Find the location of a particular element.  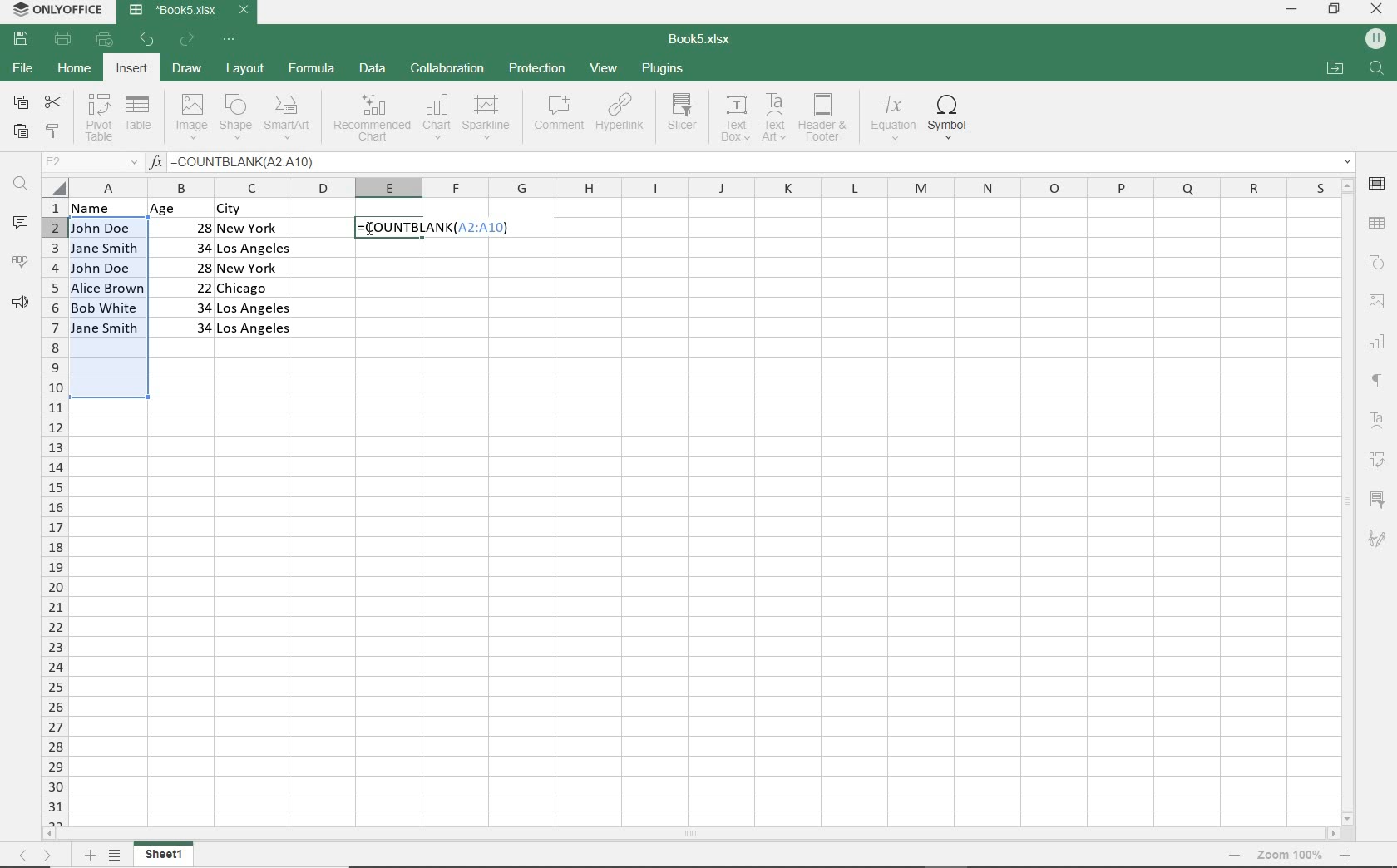

CUT is located at coordinates (54, 101).